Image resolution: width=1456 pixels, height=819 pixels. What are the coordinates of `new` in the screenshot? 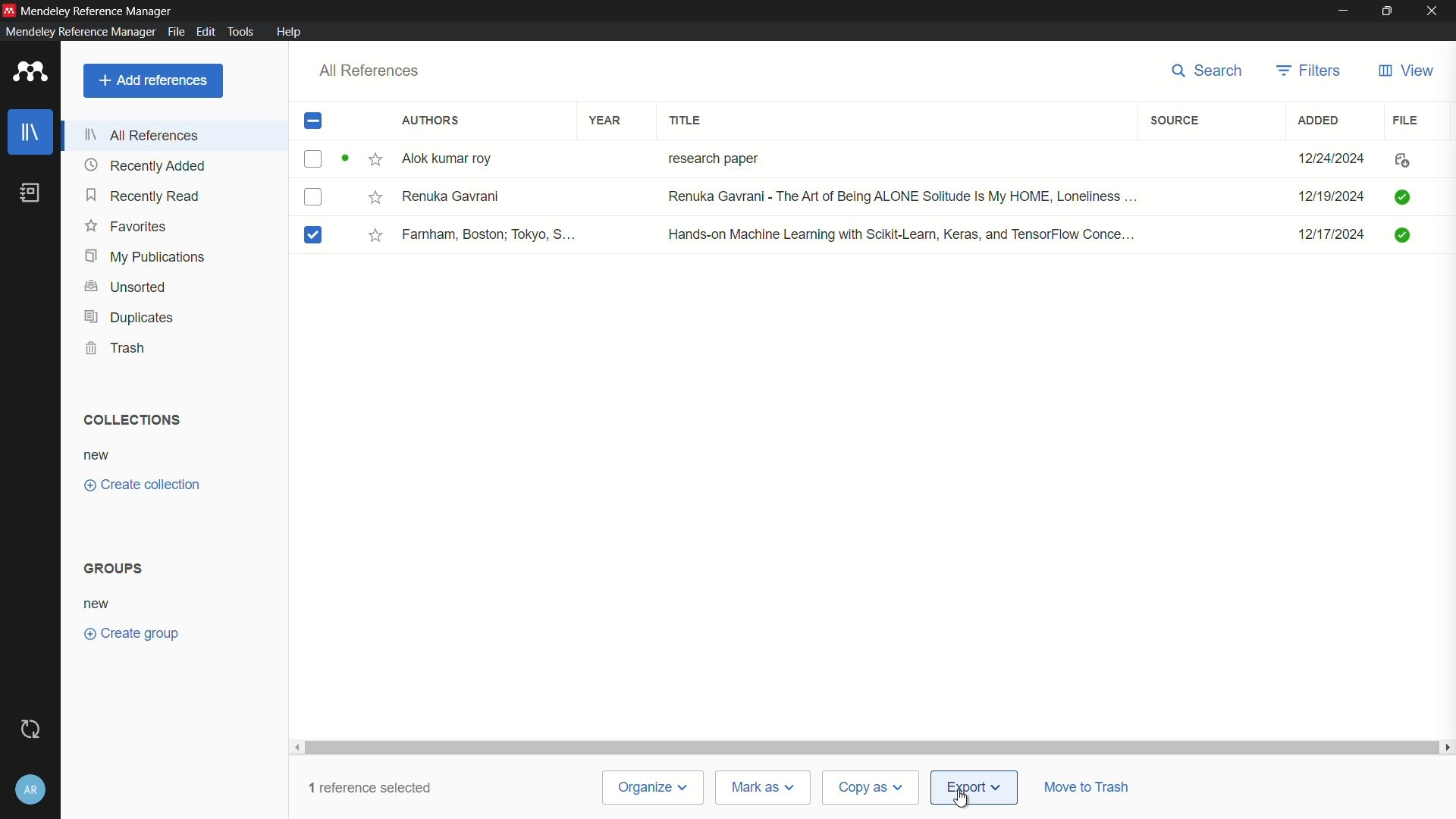 It's located at (99, 457).